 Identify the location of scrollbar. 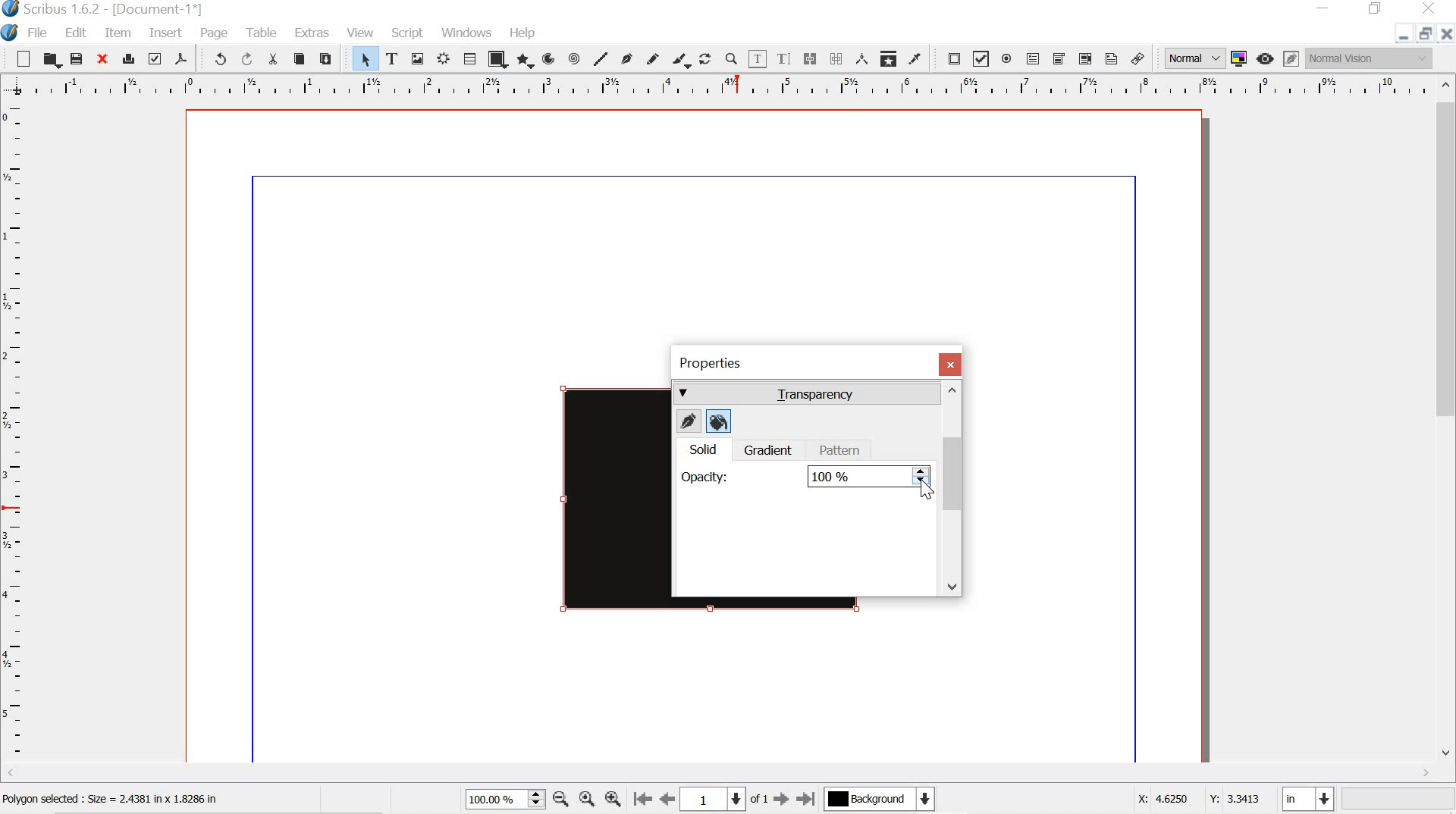
(1447, 428).